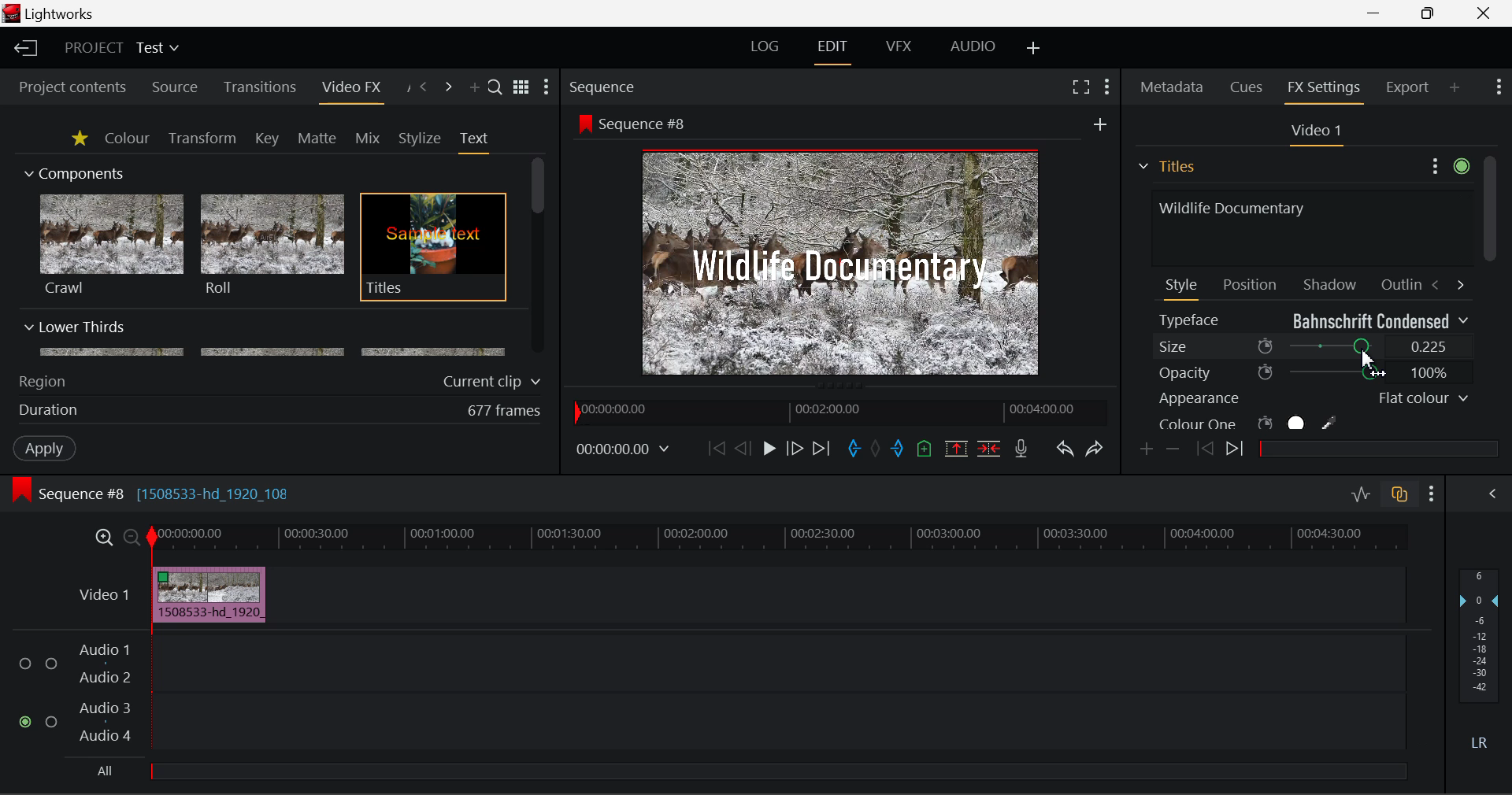 The height and width of the screenshot is (795, 1512). What do you see at coordinates (1447, 283) in the screenshot?
I see `Move between Tabs` at bounding box center [1447, 283].